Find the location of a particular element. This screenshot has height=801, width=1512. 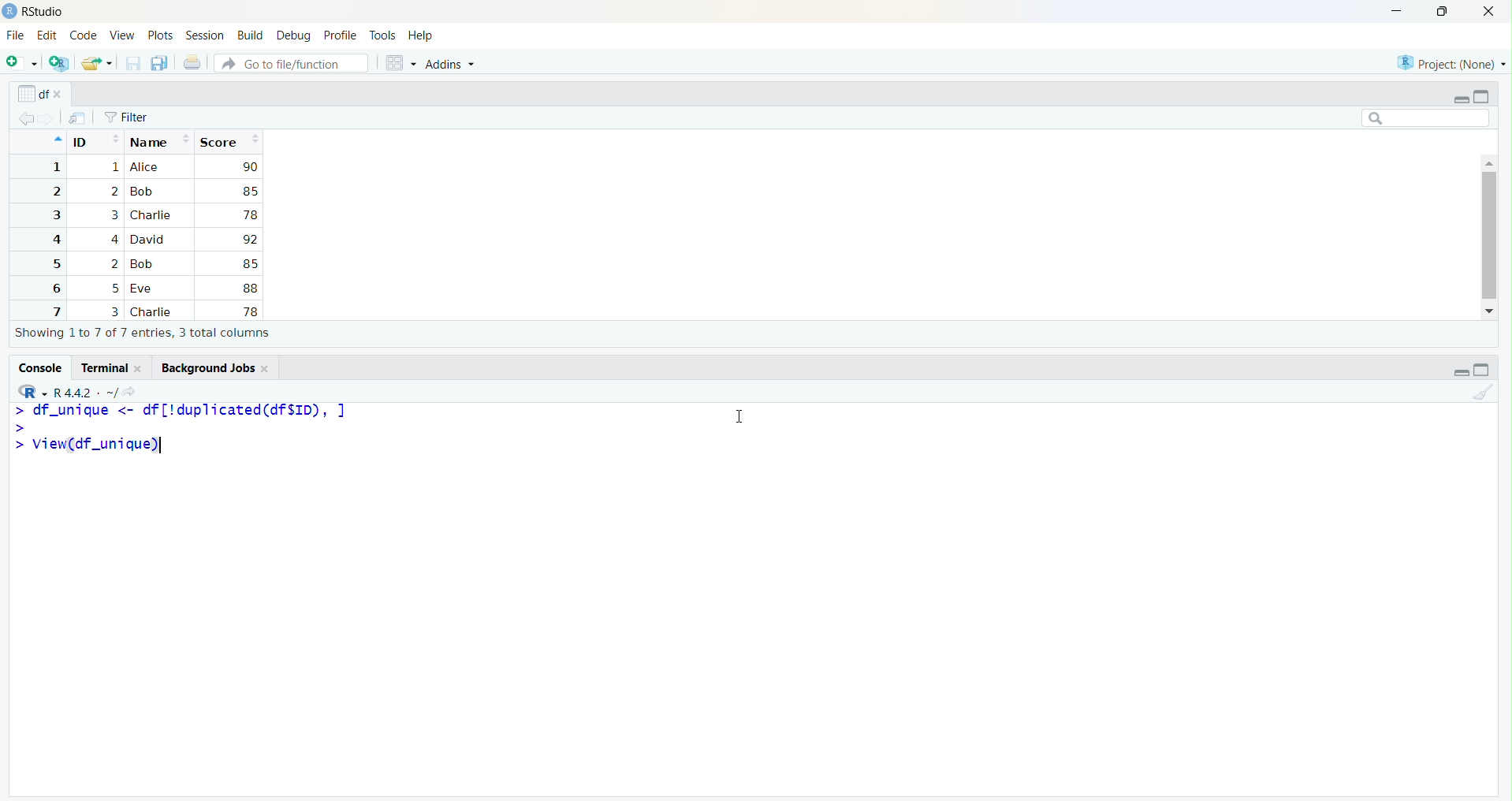

Charlie is located at coordinates (152, 215).